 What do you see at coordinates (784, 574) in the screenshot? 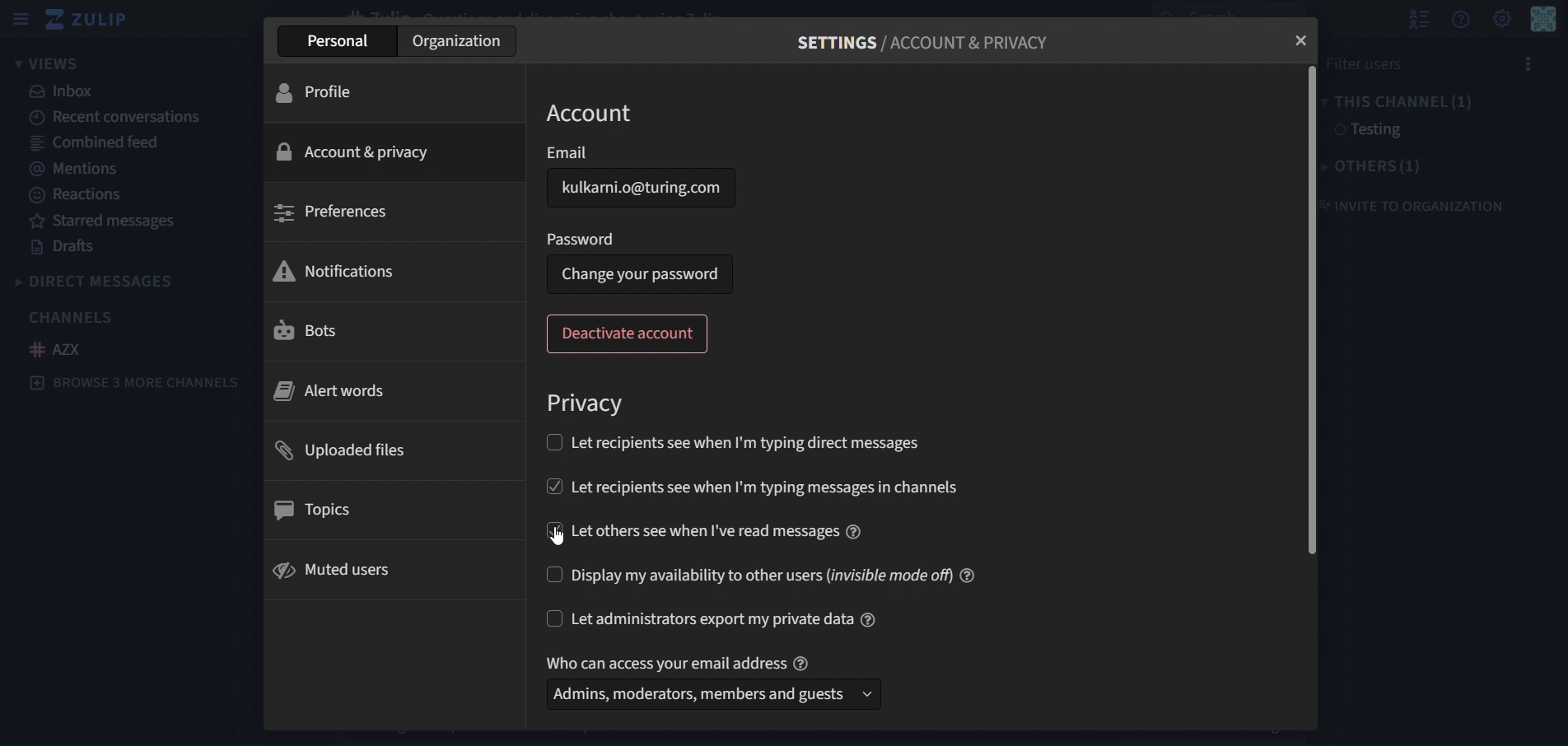
I see `display my availability` at bounding box center [784, 574].